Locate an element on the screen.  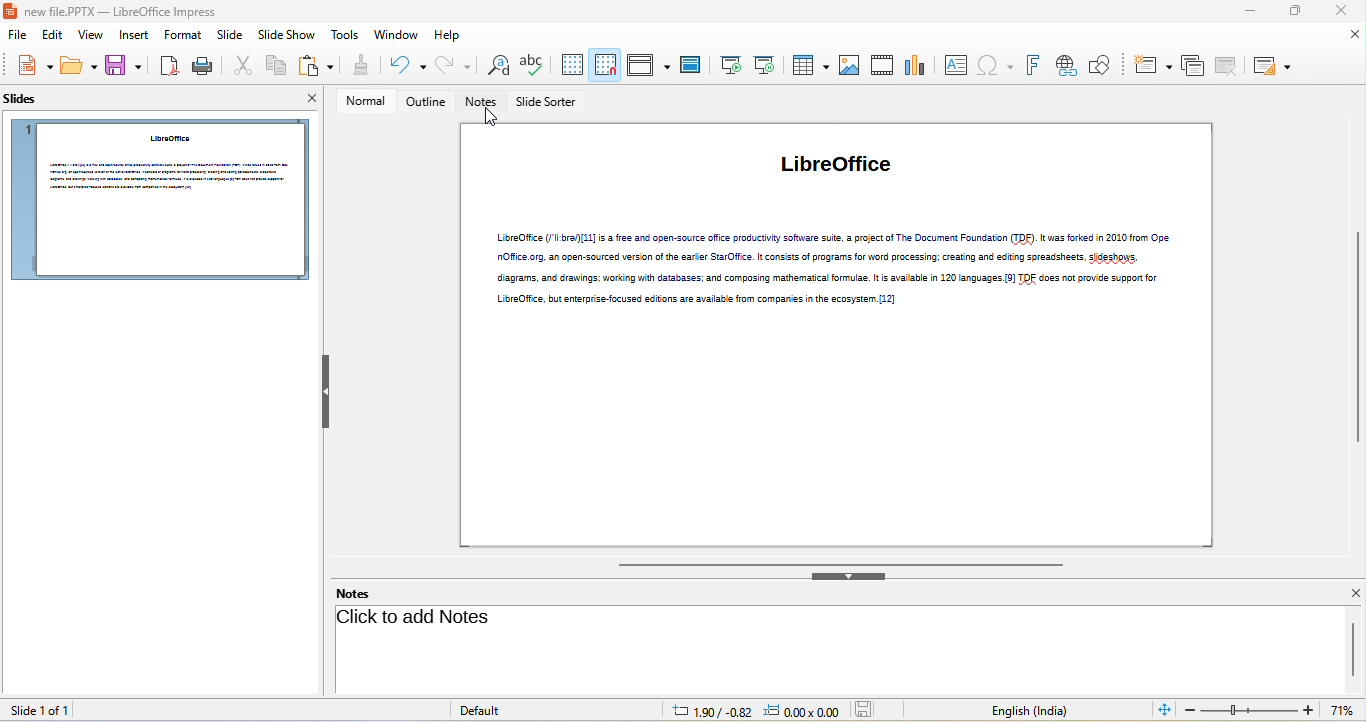
chart is located at coordinates (917, 63).